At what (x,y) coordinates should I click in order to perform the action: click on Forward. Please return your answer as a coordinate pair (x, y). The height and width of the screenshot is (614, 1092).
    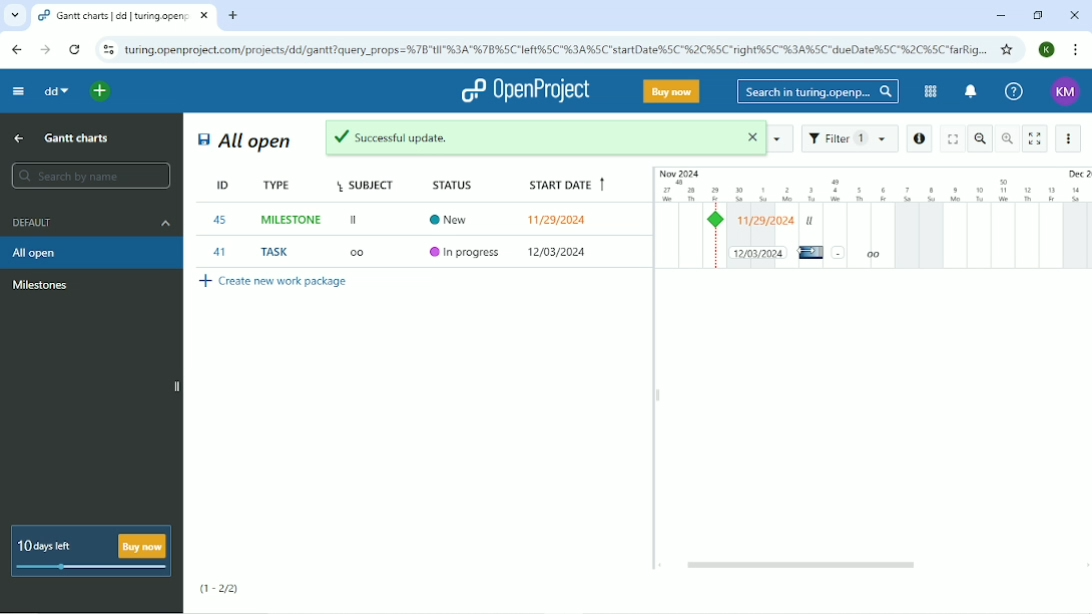
    Looking at the image, I should click on (45, 50).